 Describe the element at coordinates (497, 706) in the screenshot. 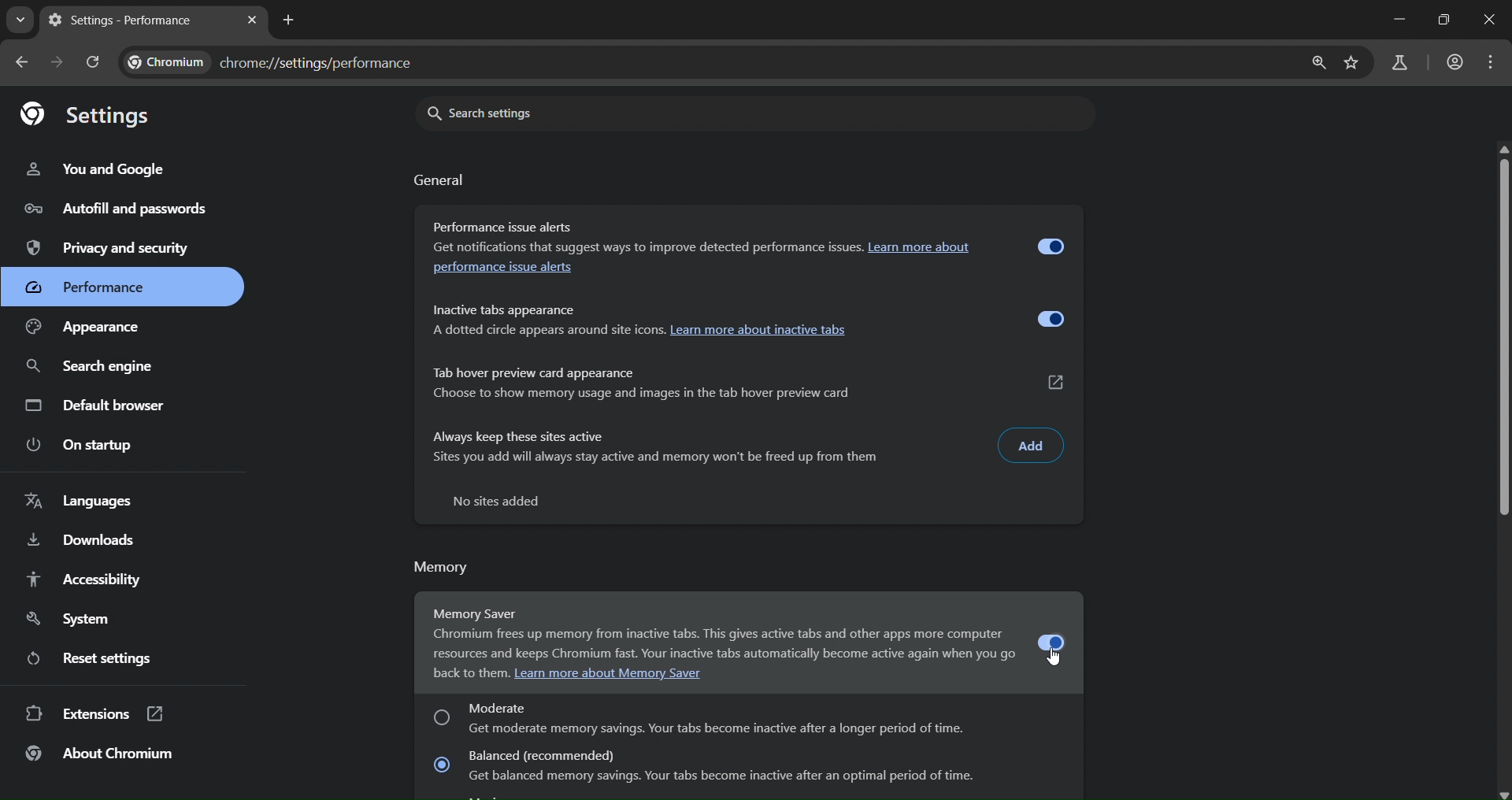

I see `moderate` at that location.